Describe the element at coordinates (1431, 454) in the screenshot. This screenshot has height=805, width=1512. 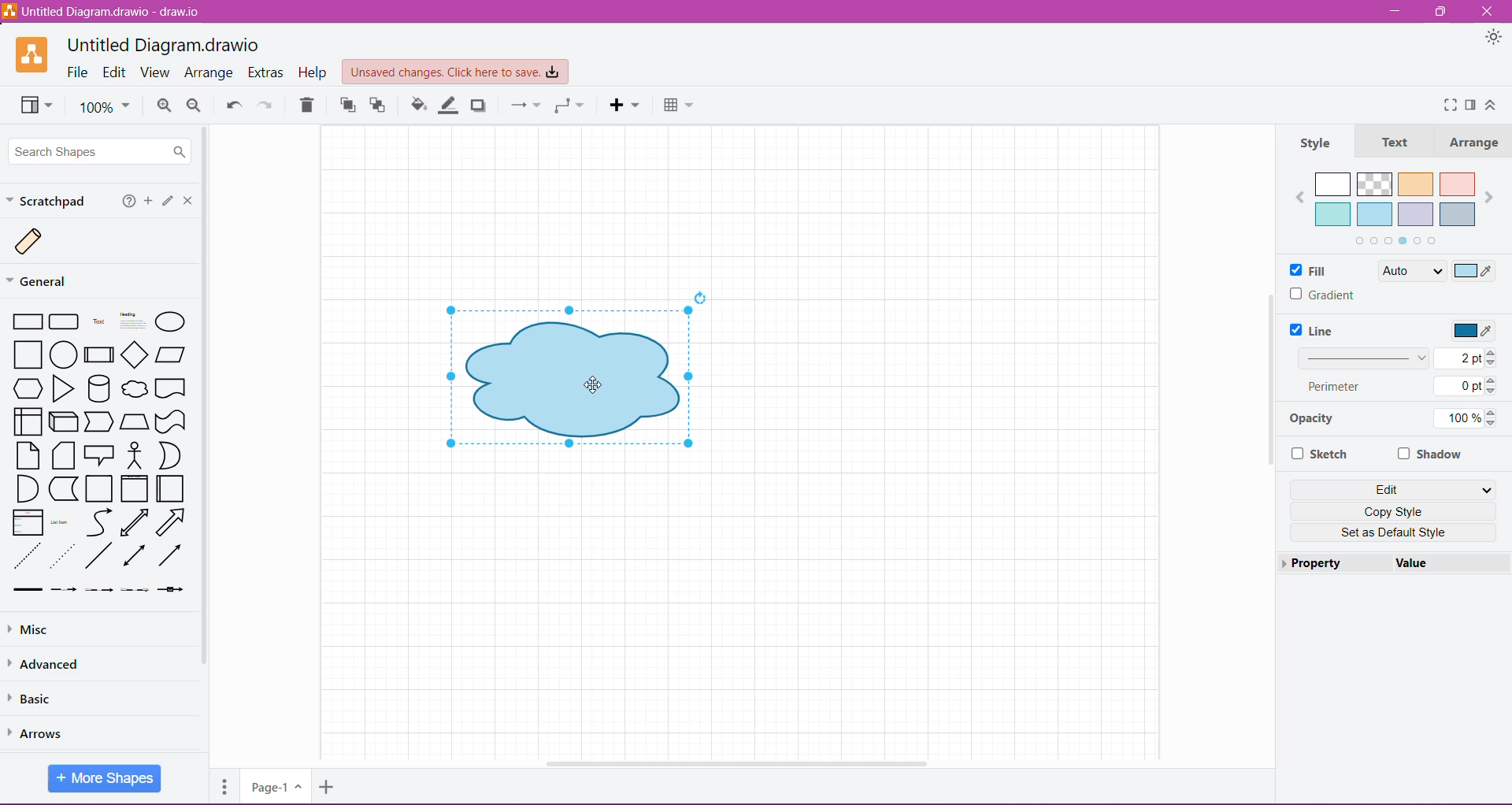
I see `Shadow ` at that location.